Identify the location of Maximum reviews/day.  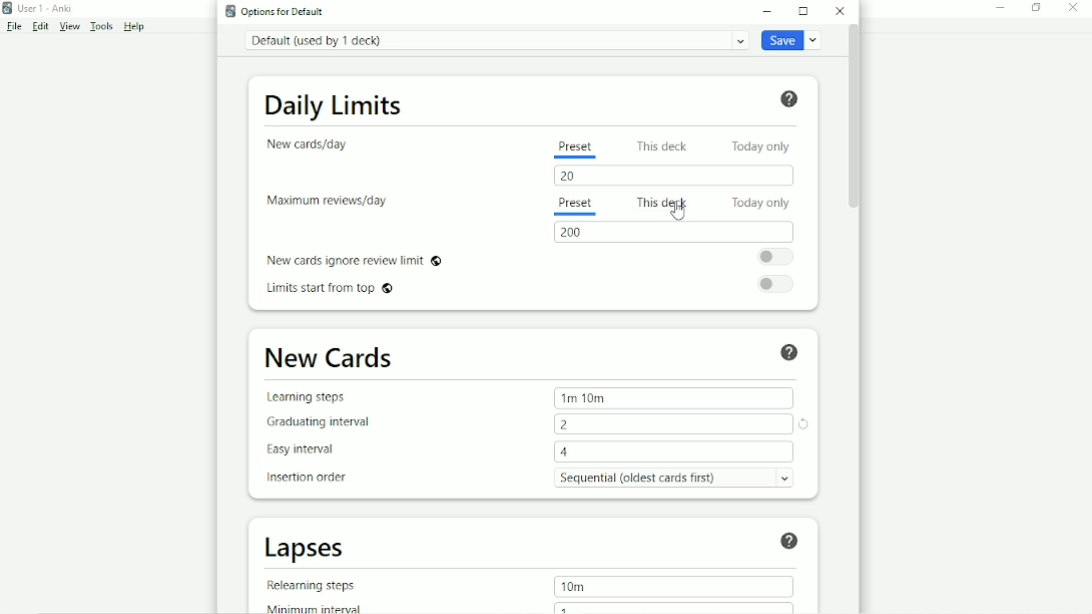
(327, 201).